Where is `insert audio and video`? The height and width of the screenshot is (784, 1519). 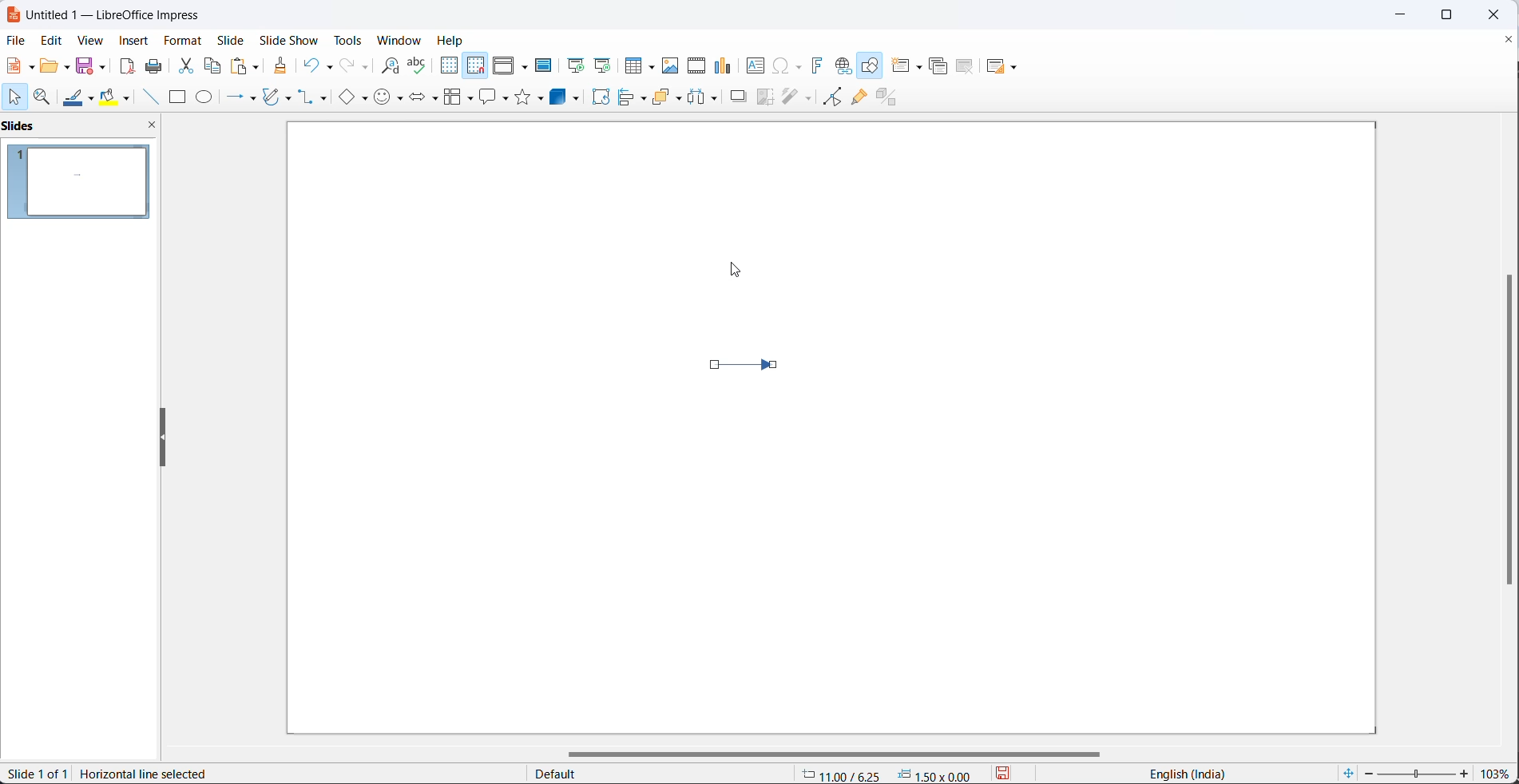 insert audio and video is located at coordinates (696, 66).